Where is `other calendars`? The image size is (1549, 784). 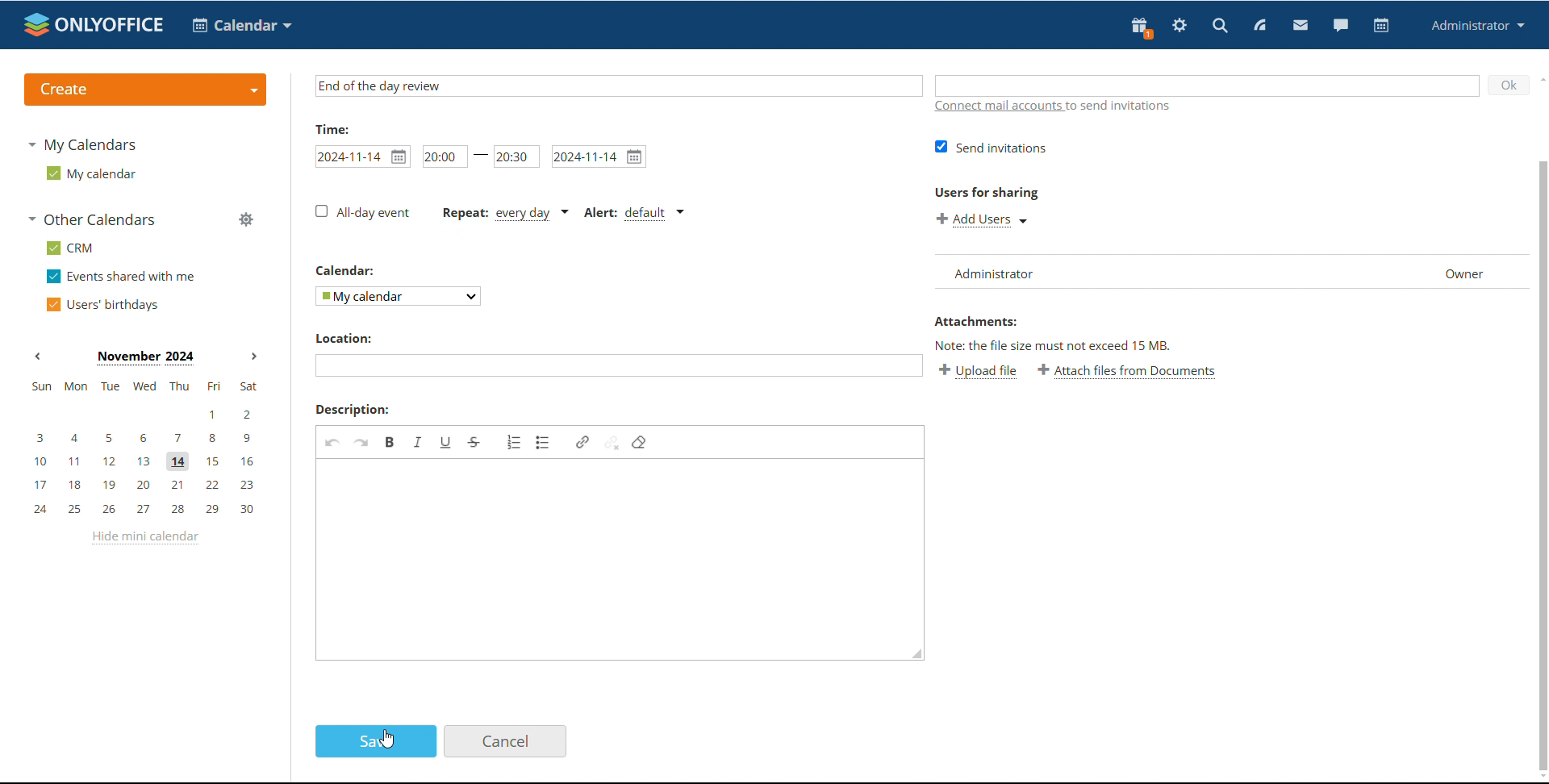
other calendars is located at coordinates (94, 219).